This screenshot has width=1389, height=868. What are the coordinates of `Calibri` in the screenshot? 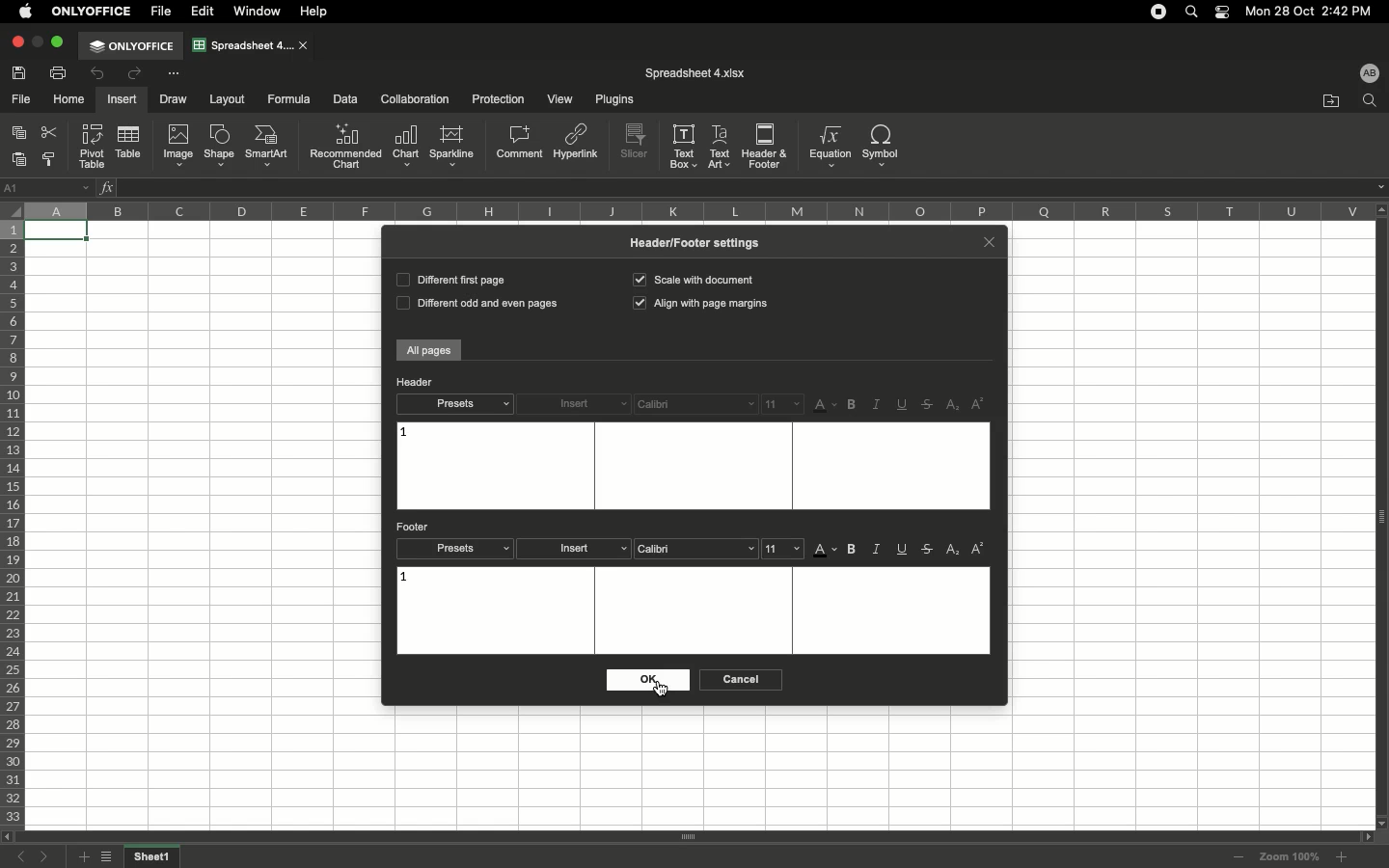 It's located at (695, 404).